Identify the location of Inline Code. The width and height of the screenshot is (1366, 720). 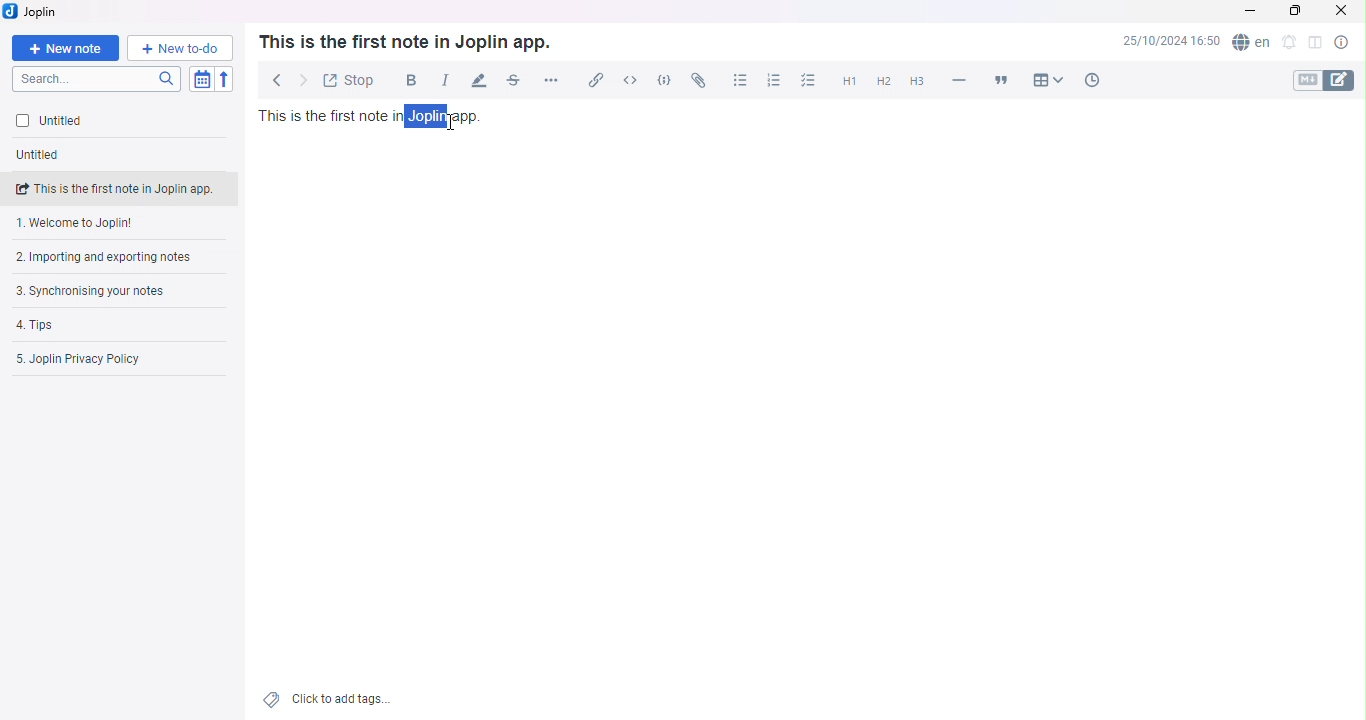
(628, 80).